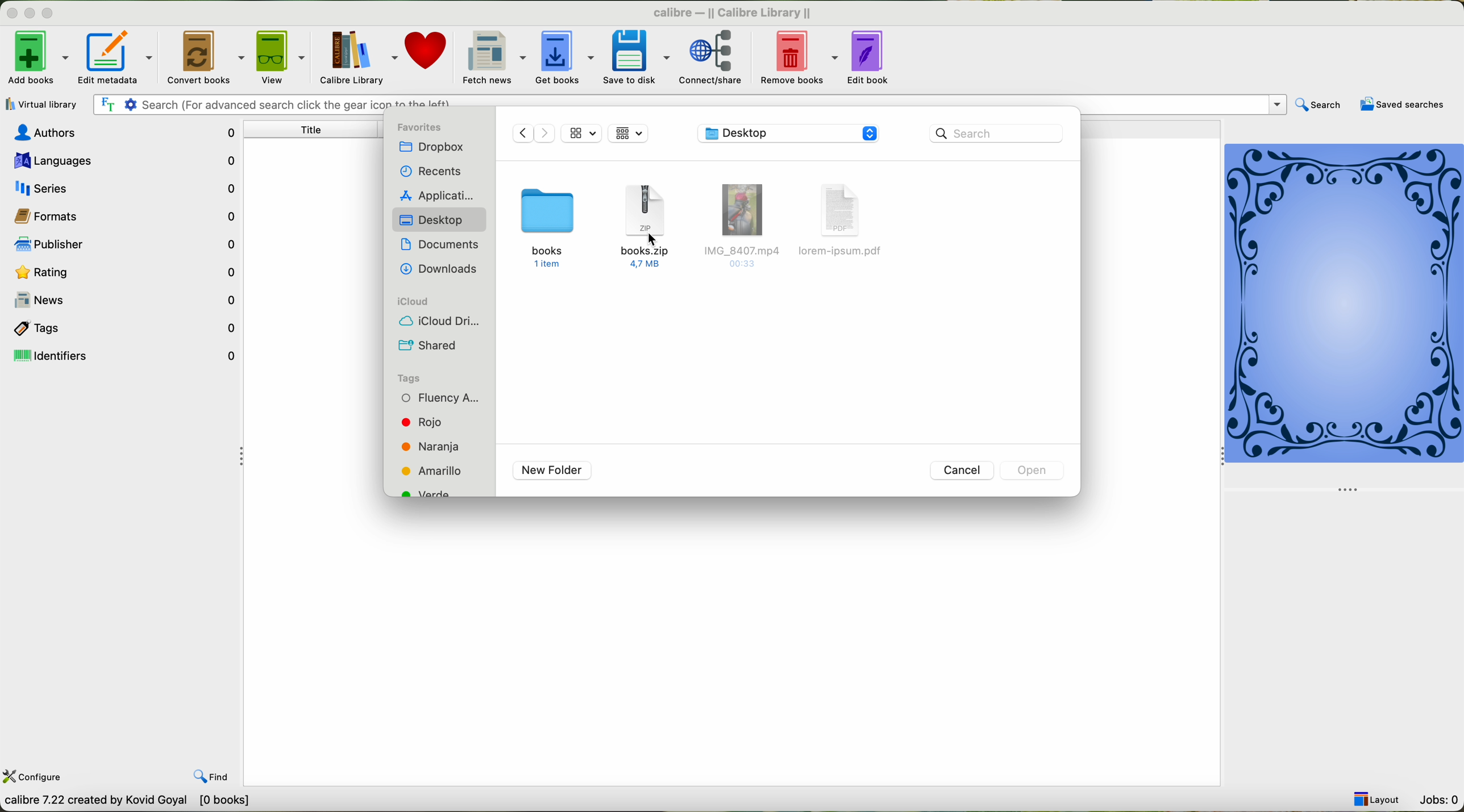 Image resolution: width=1464 pixels, height=812 pixels. What do you see at coordinates (435, 492) in the screenshot?
I see `green tag` at bounding box center [435, 492].